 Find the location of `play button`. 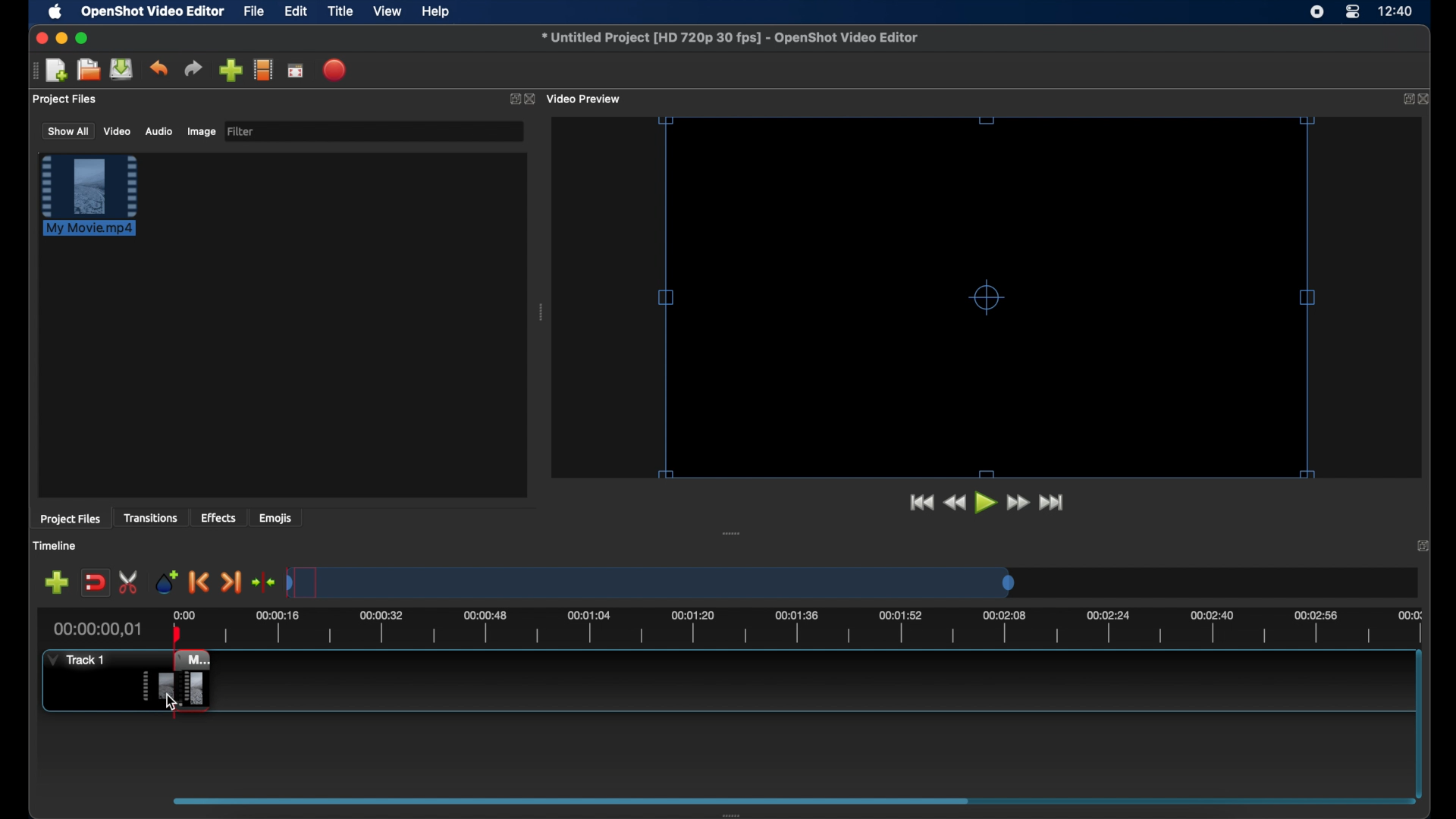

play button is located at coordinates (987, 504).